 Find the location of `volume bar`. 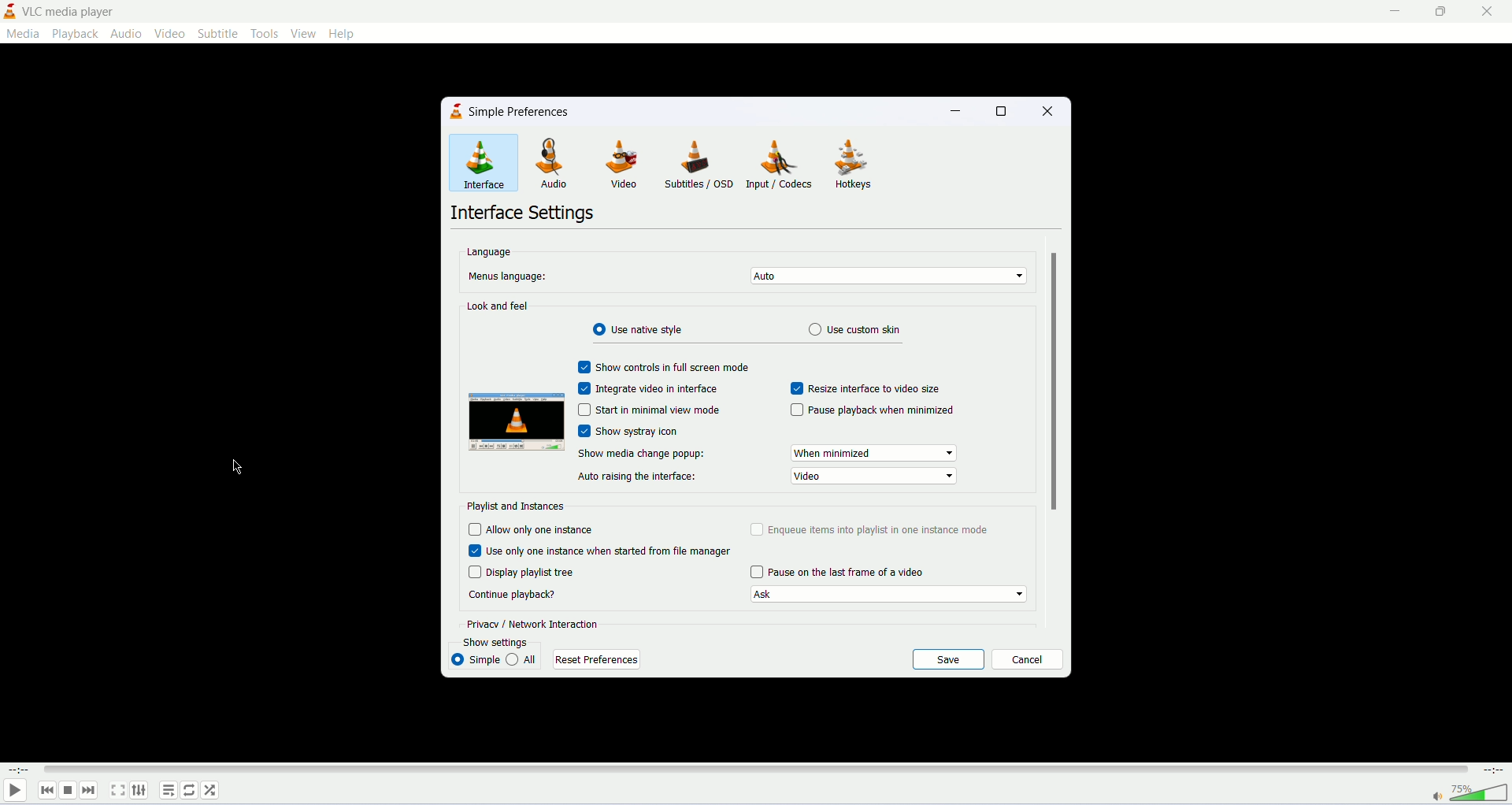

volume bar is located at coordinates (1480, 793).